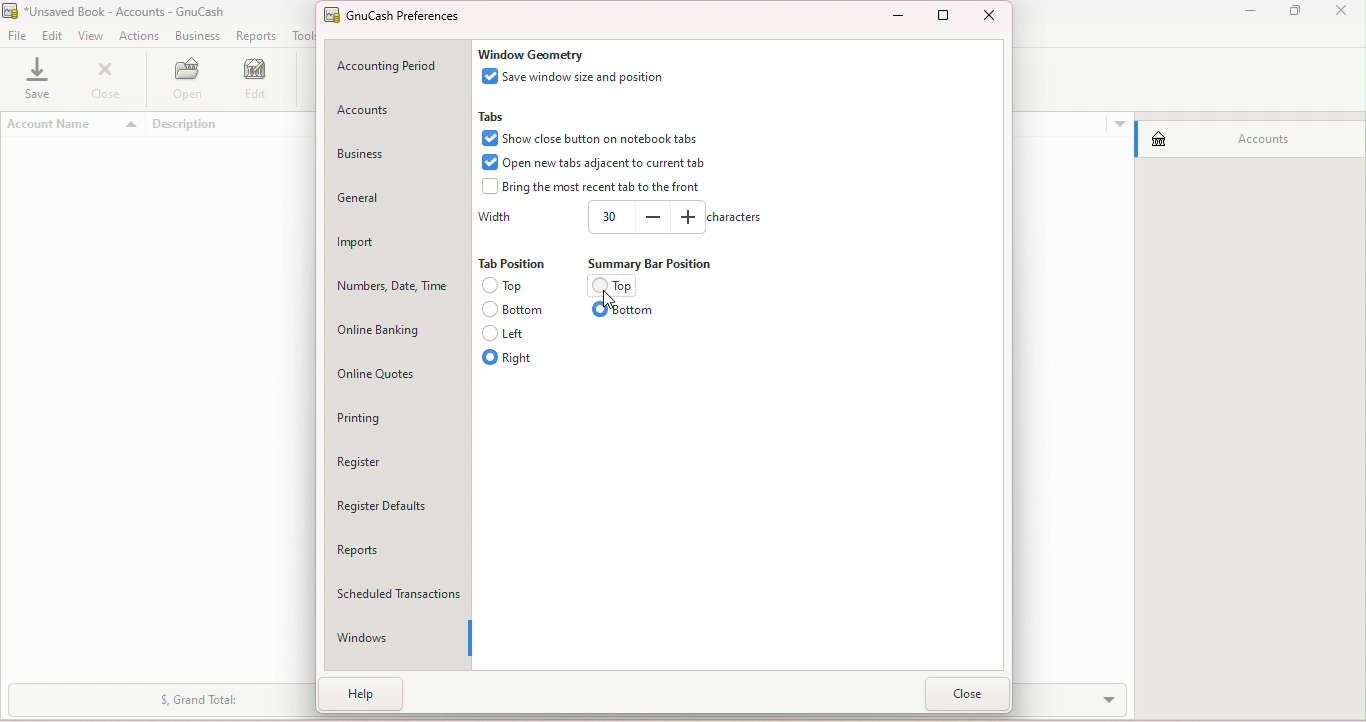 The height and width of the screenshot is (722, 1366). Describe the element at coordinates (52, 35) in the screenshot. I see `Edit` at that location.